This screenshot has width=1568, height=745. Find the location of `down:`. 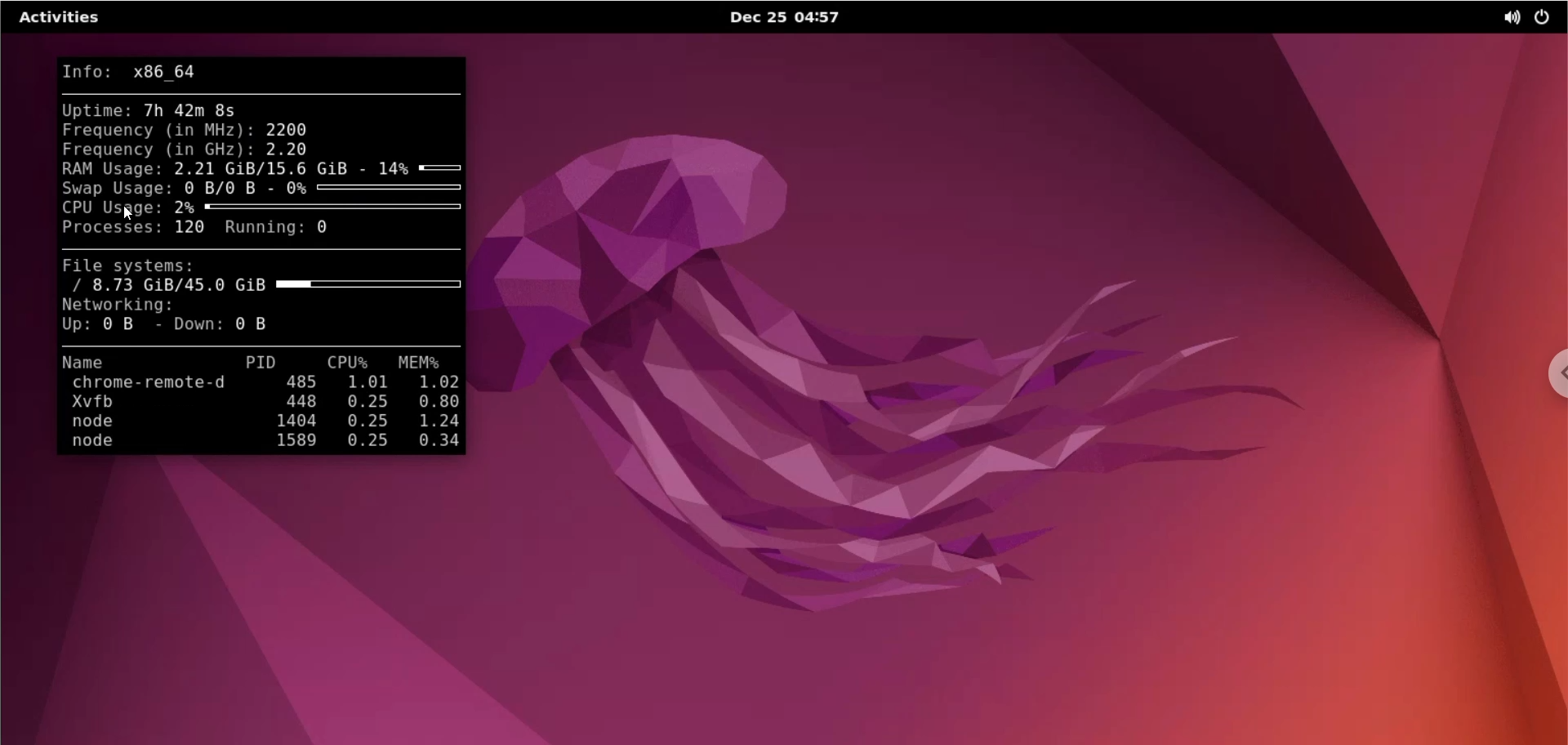

down: is located at coordinates (189, 326).